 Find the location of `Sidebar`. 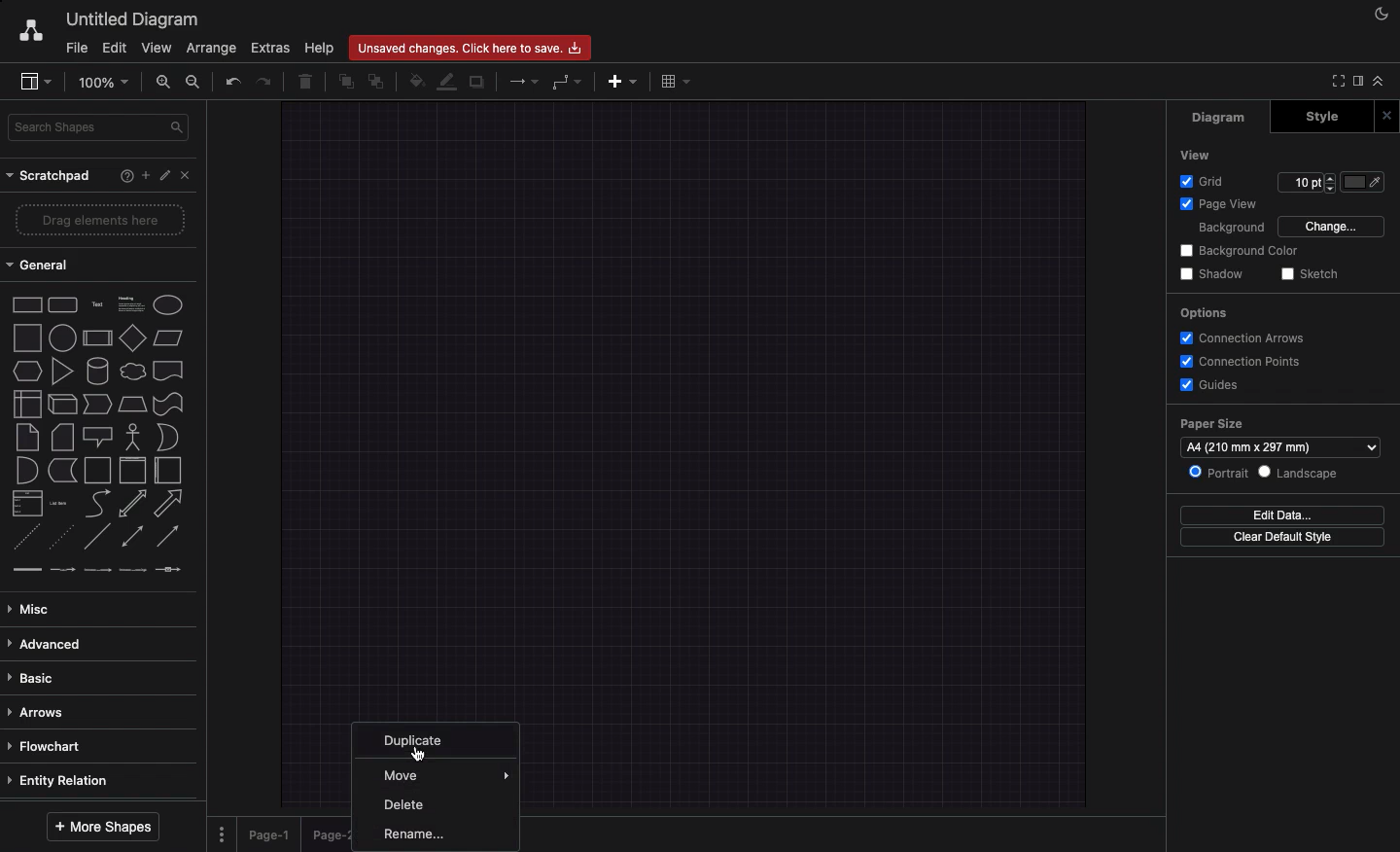

Sidebar is located at coordinates (1356, 81).